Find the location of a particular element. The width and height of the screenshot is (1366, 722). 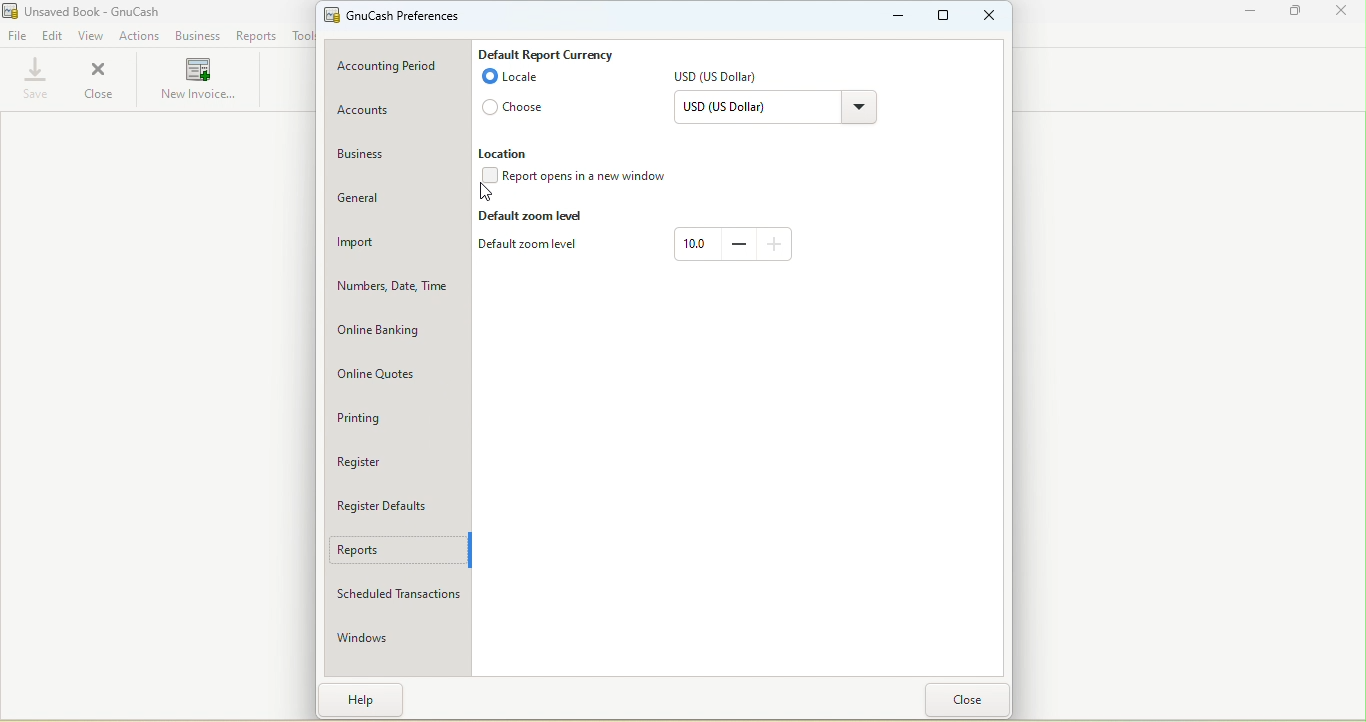

Scheduled transactions is located at coordinates (396, 595).